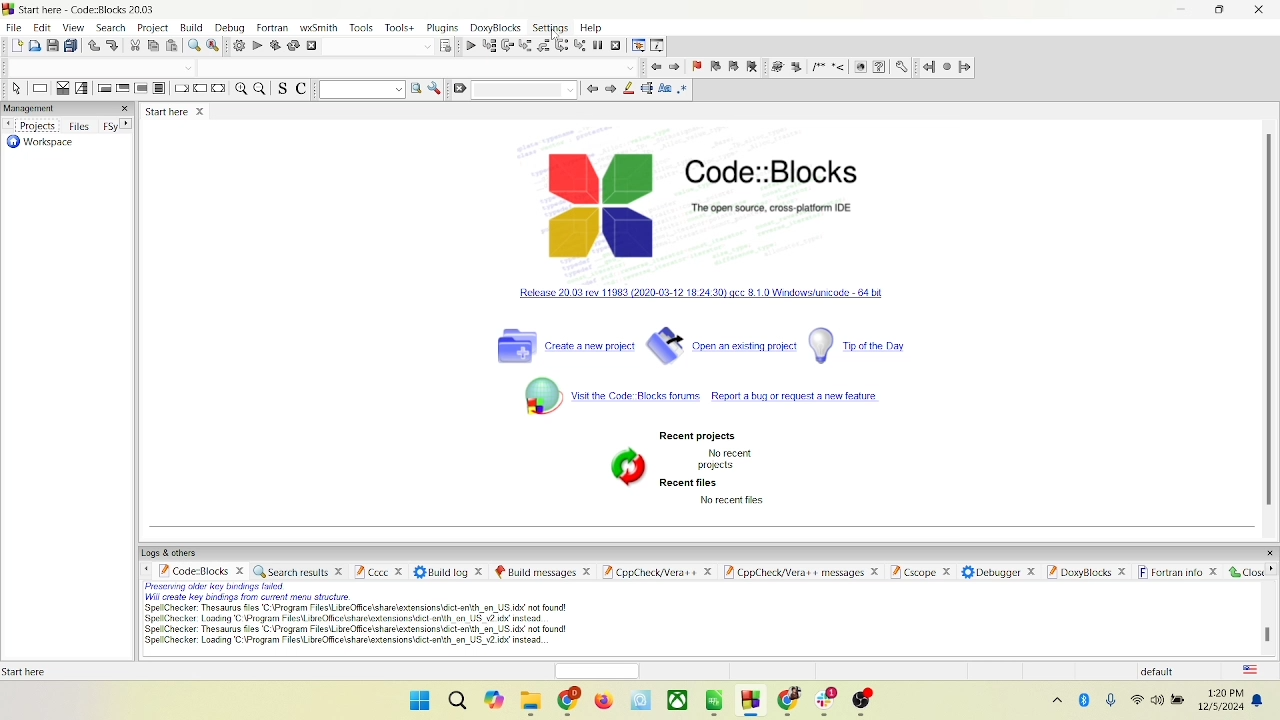 The height and width of the screenshot is (720, 1280). What do you see at coordinates (544, 46) in the screenshot?
I see `step out` at bounding box center [544, 46].